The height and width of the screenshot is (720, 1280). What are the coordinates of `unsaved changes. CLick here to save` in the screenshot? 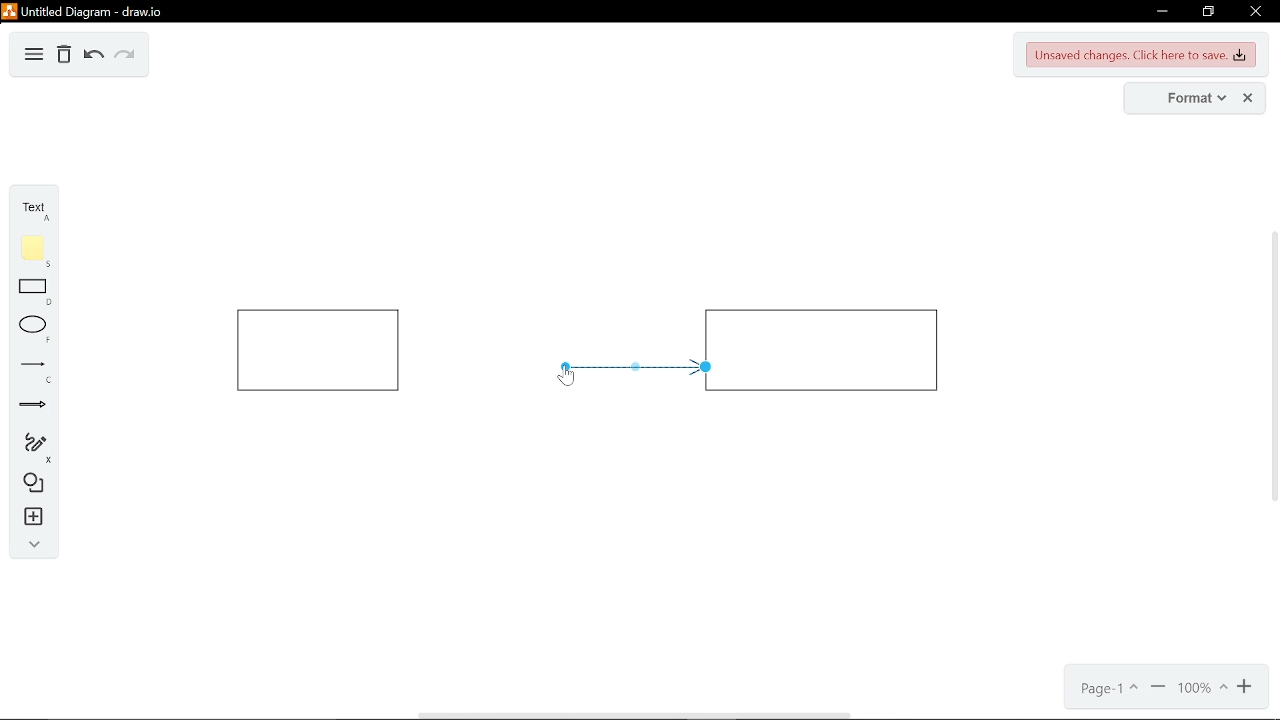 It's located at (1138, 55).